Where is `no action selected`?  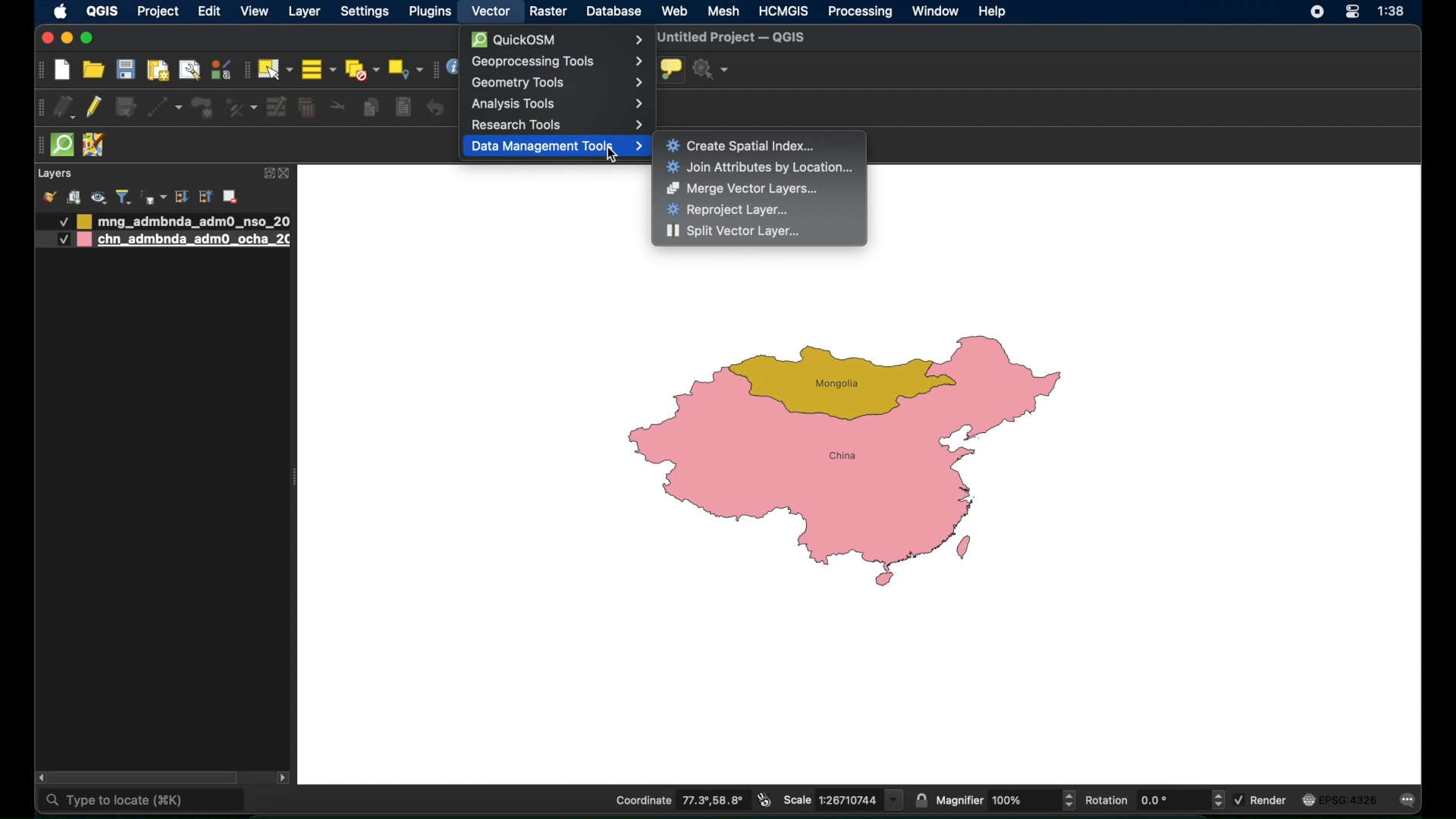 no action selected is located at coordinates (714, 71).